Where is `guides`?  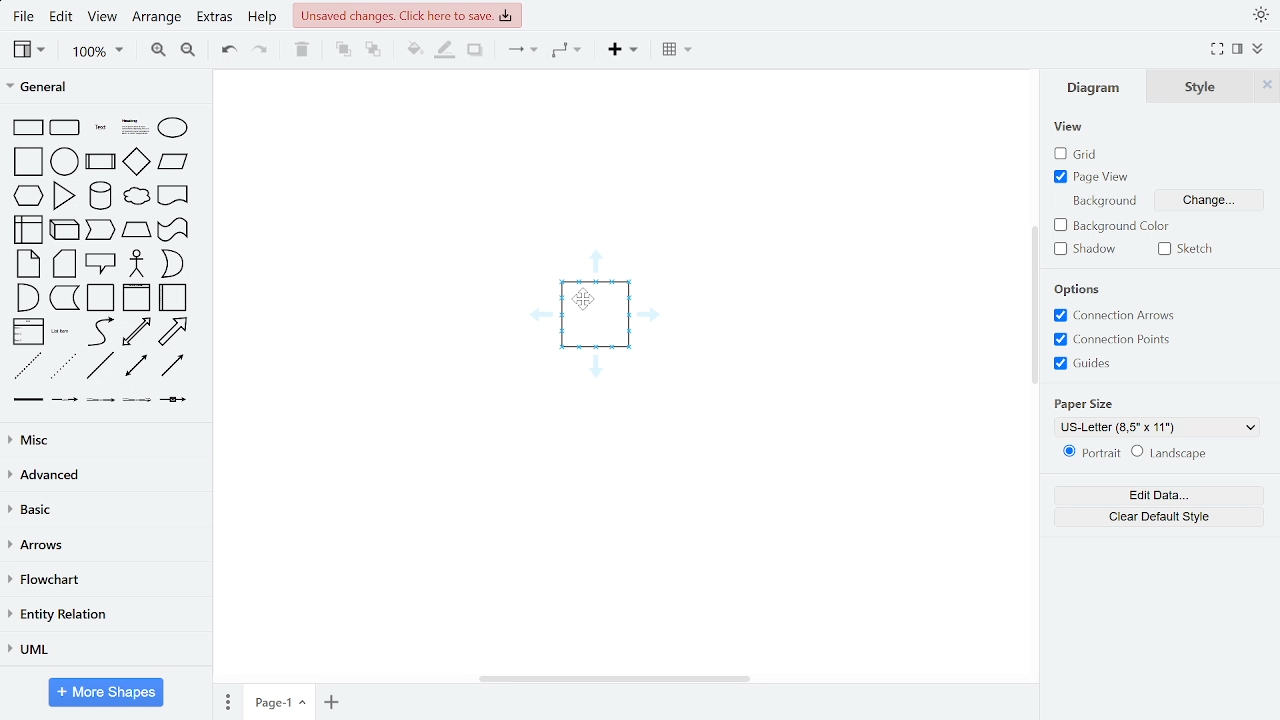
guides is located at coordinates (1084, 363).